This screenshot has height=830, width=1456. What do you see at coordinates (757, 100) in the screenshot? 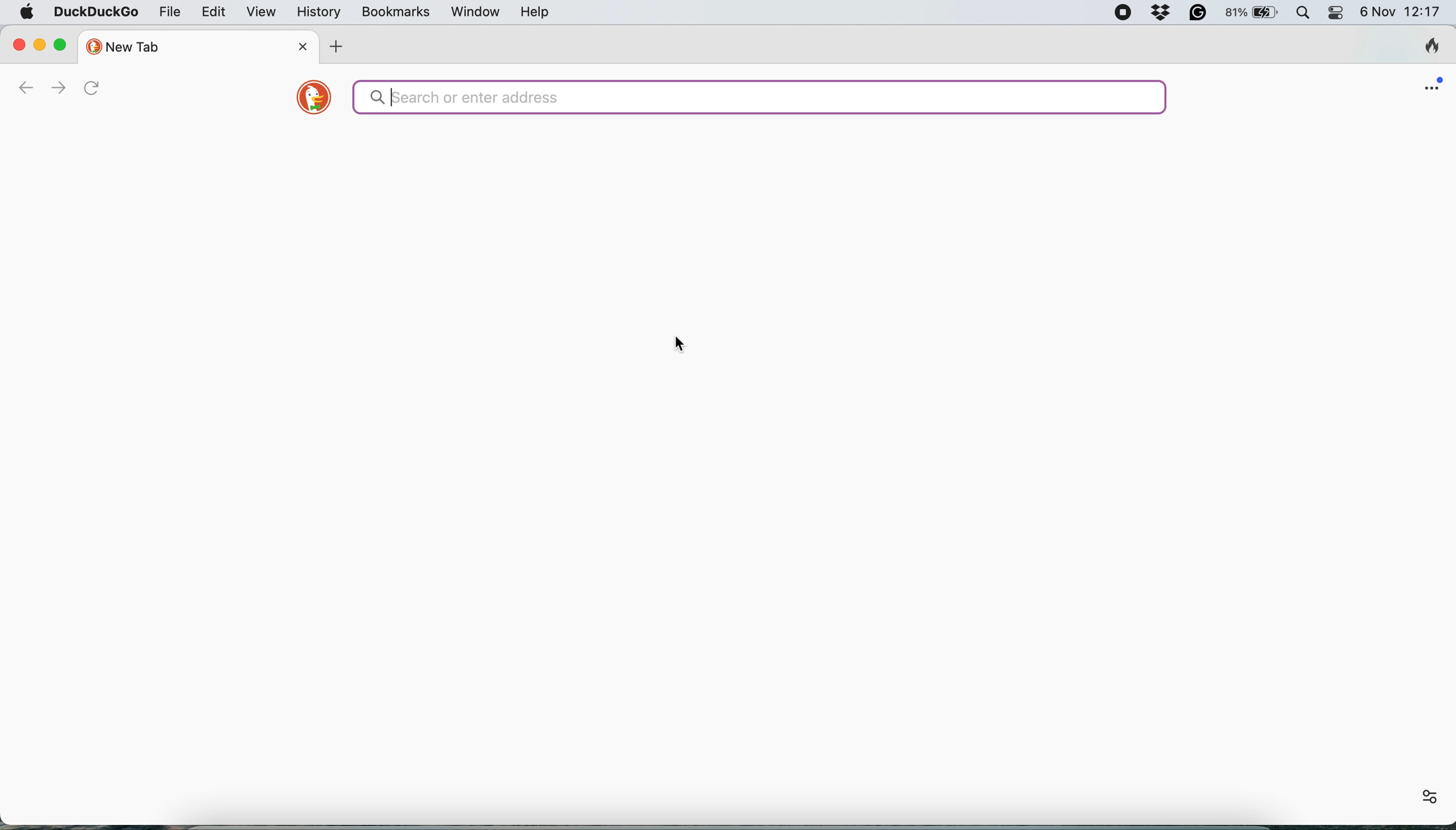
I see `search bar` at bounding box center [757, 100].